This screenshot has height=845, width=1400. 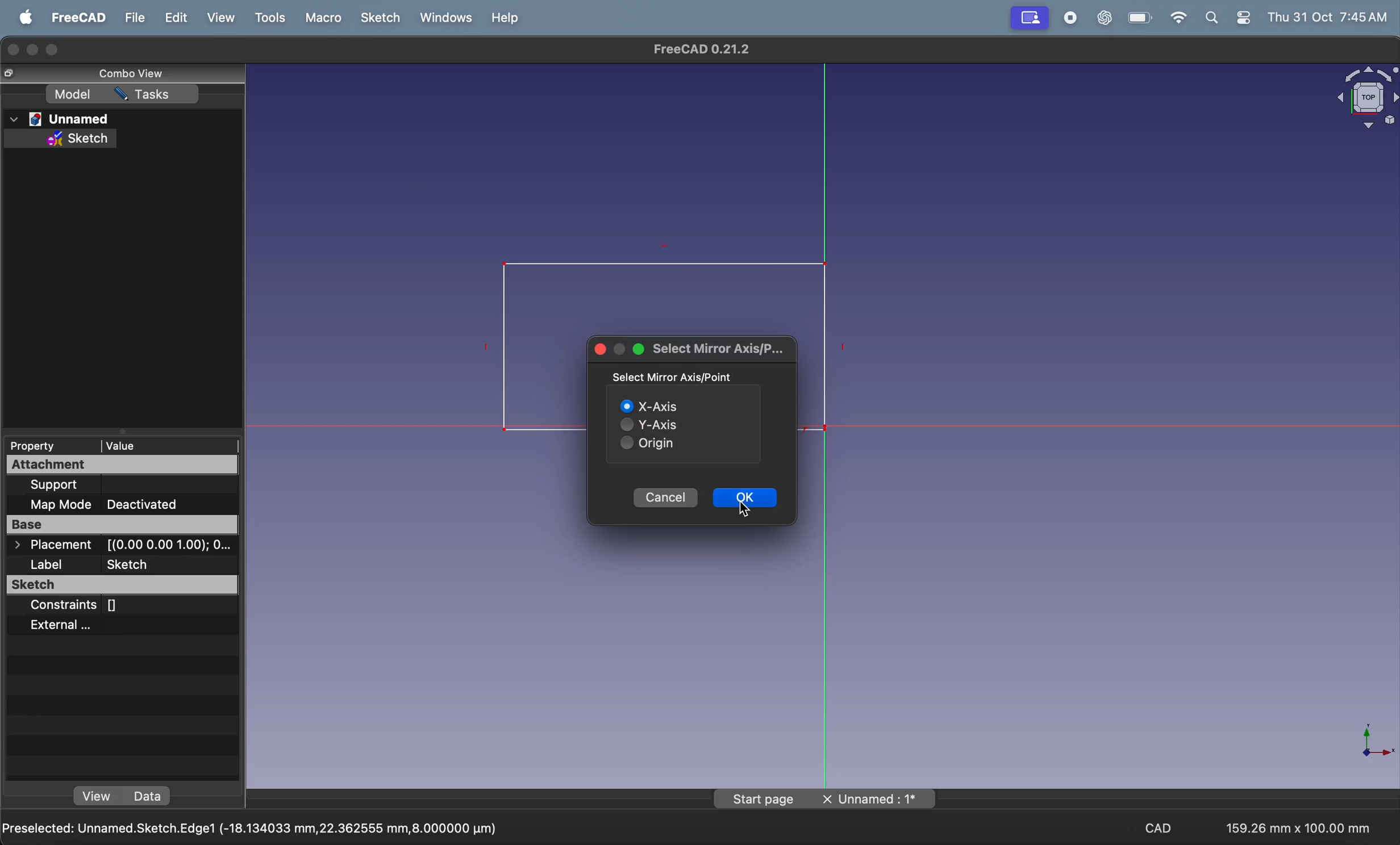 I want to click on X axis, so click(x=653, y=406).